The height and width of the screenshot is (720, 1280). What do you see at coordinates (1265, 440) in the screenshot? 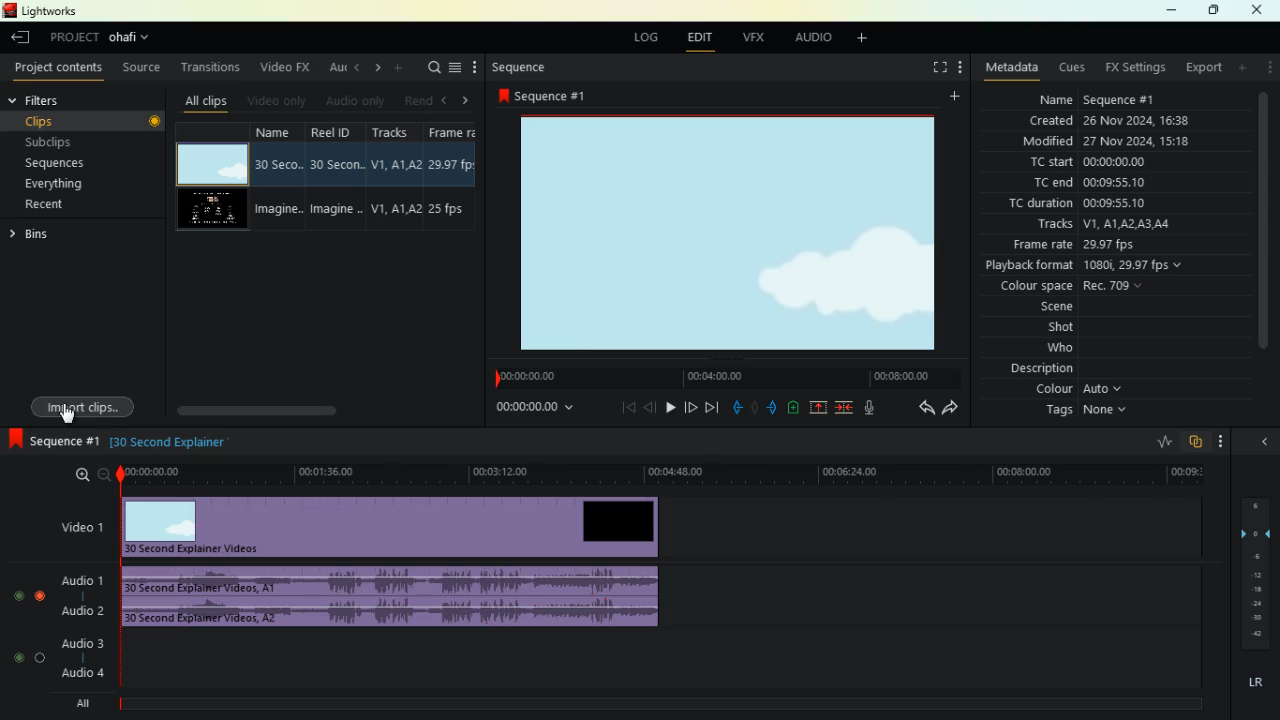
I see `close` at bounding box center [1265, 440].